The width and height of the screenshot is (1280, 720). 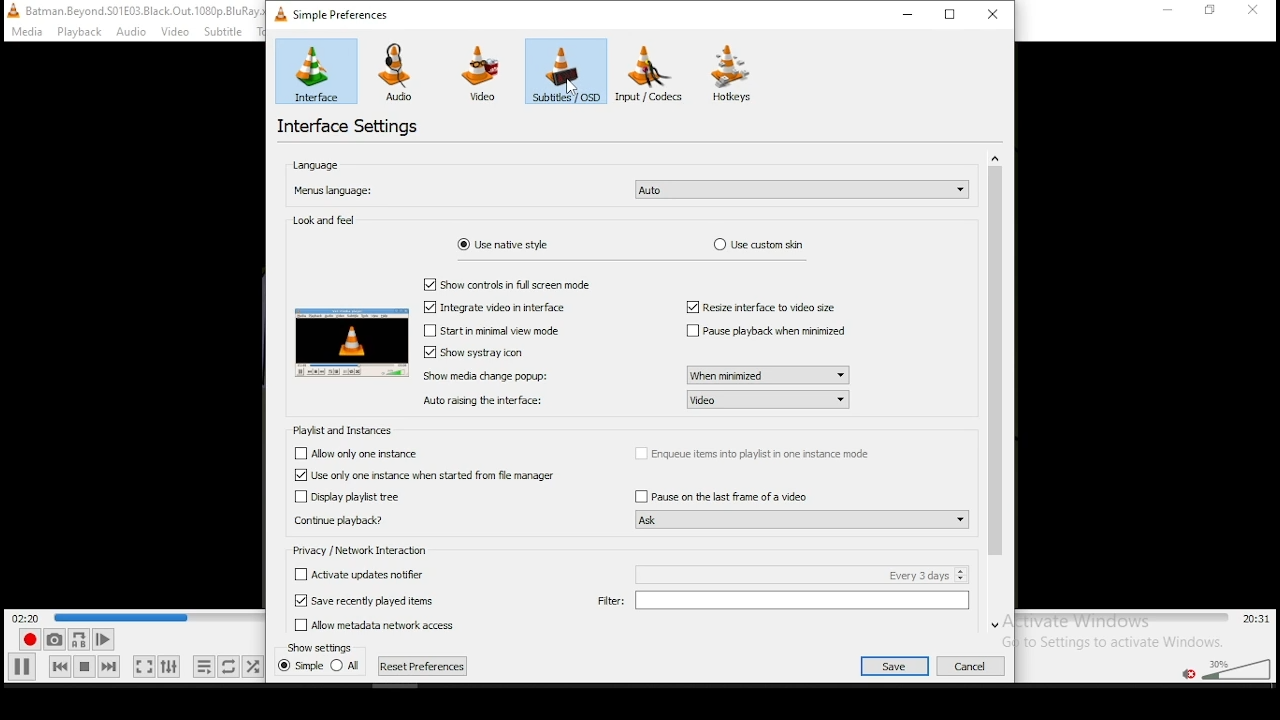 What do you see at coordinates (1210, 11) in the screenshot?
I see `restore` at bounding box center [1210, 11].